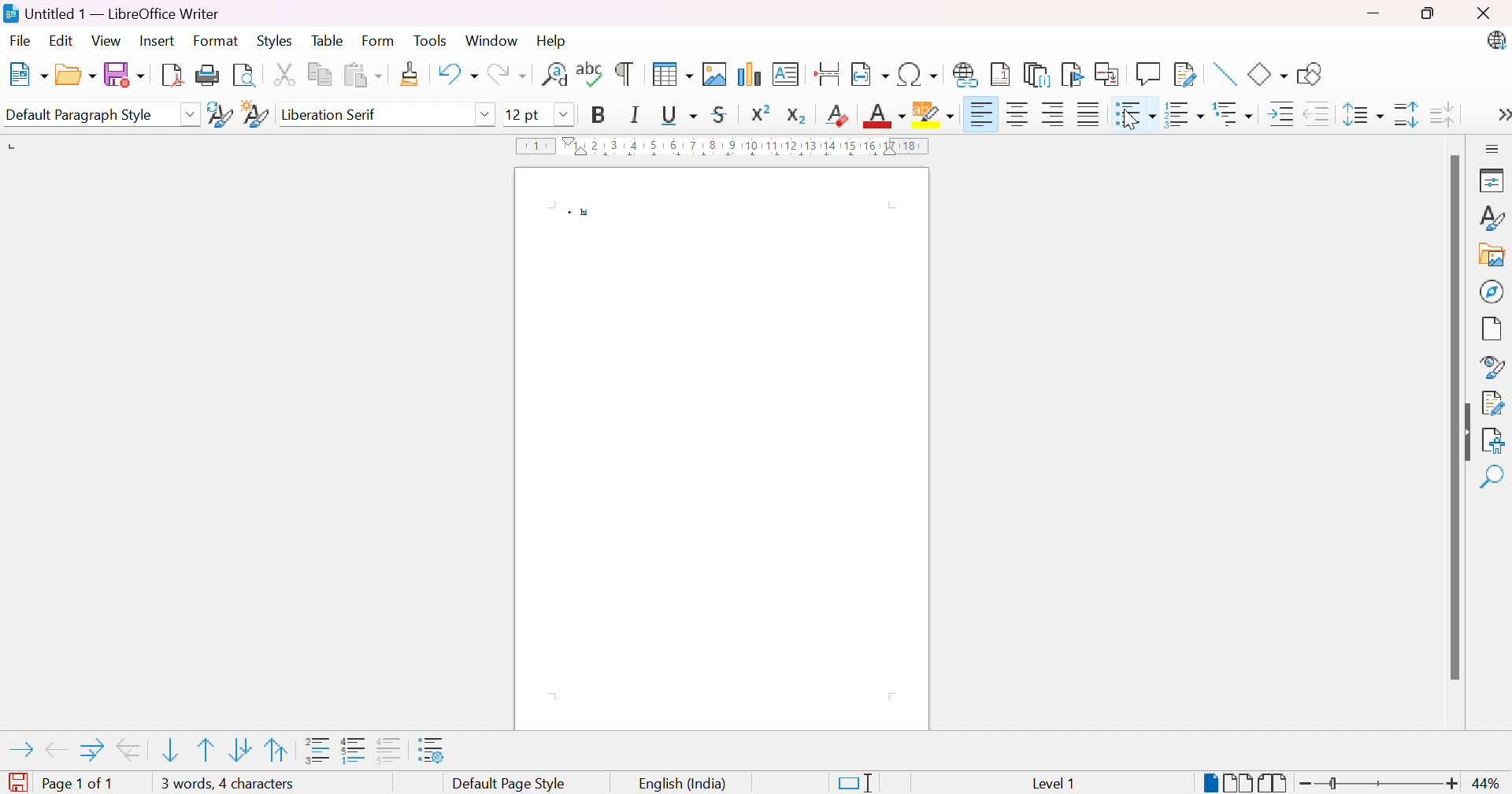  What do you see at coordinates (279, 749) in the screenshot?
I see `Move item up with subpoints` at bounding box center [279, 749].